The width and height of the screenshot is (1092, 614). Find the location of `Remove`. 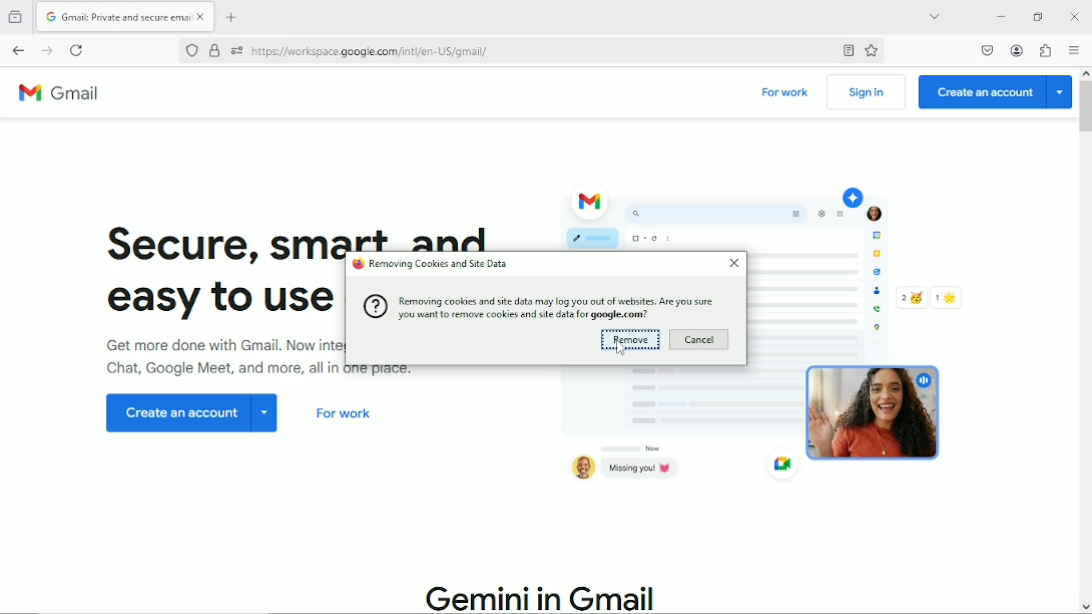

Remove is located at coordinates (629, 341).